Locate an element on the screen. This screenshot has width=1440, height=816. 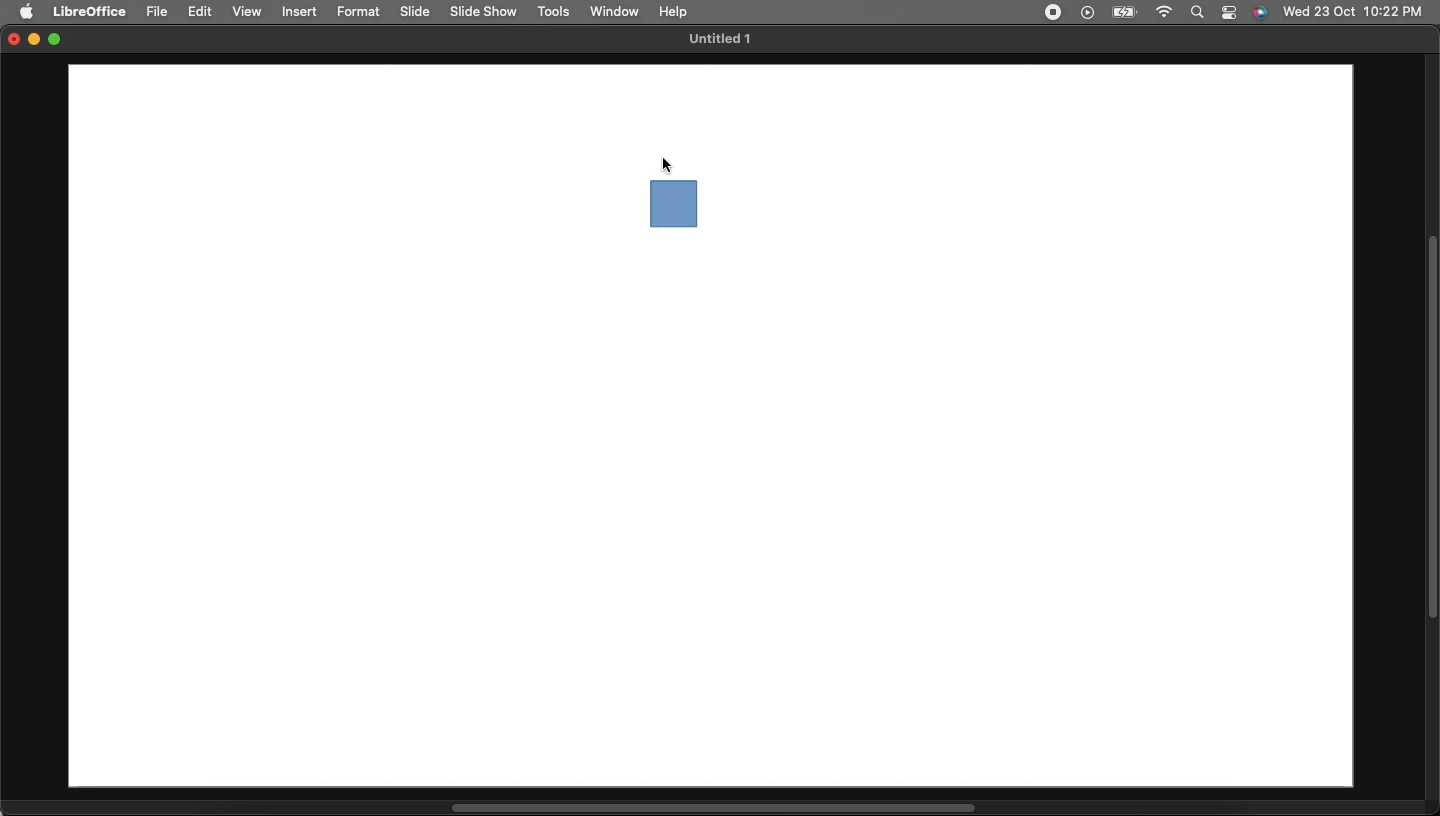
Format is located at coordinates (363, 13).